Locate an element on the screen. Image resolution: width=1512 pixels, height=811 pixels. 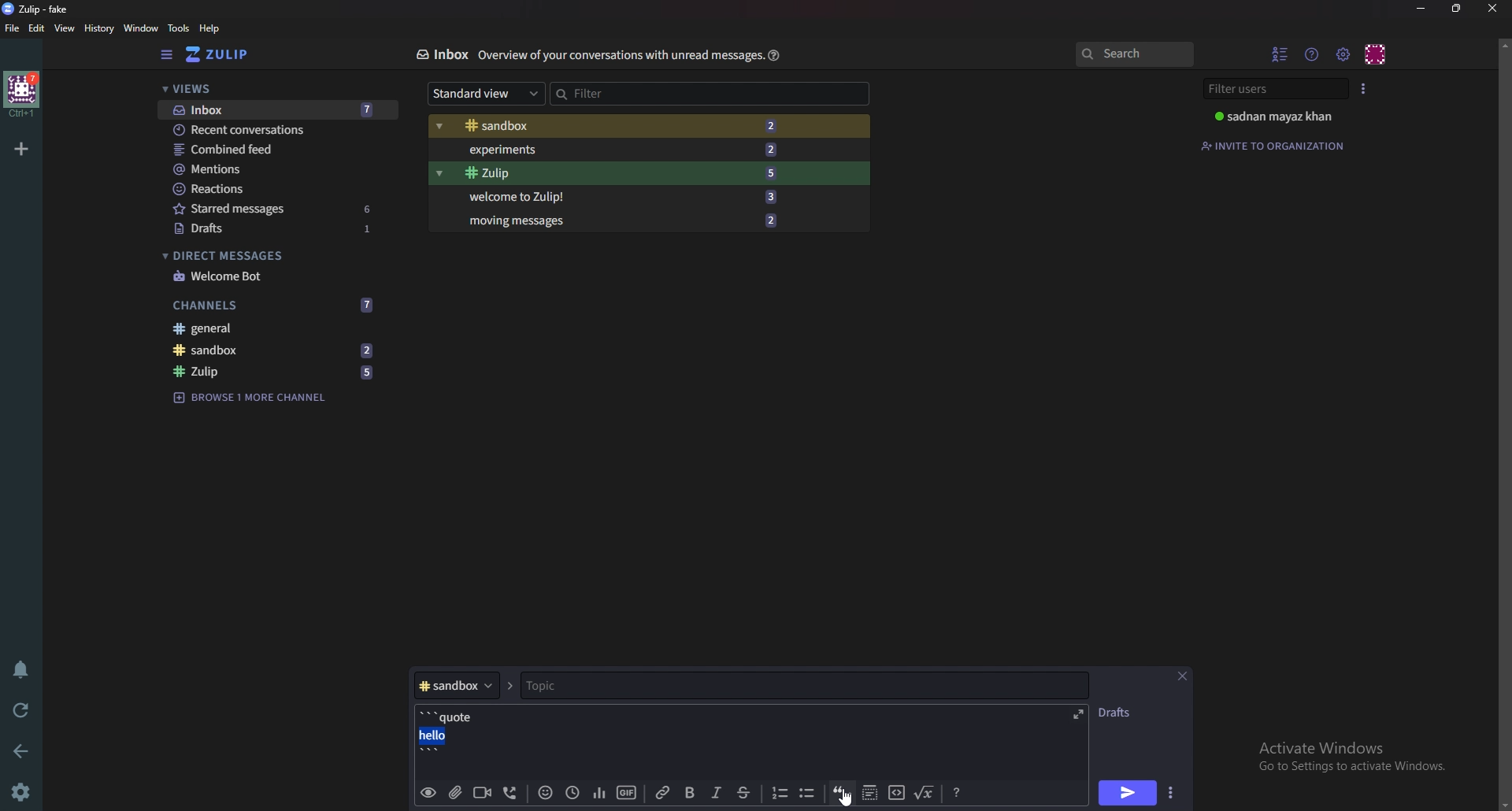
quote is located at coordinates (843, 792).